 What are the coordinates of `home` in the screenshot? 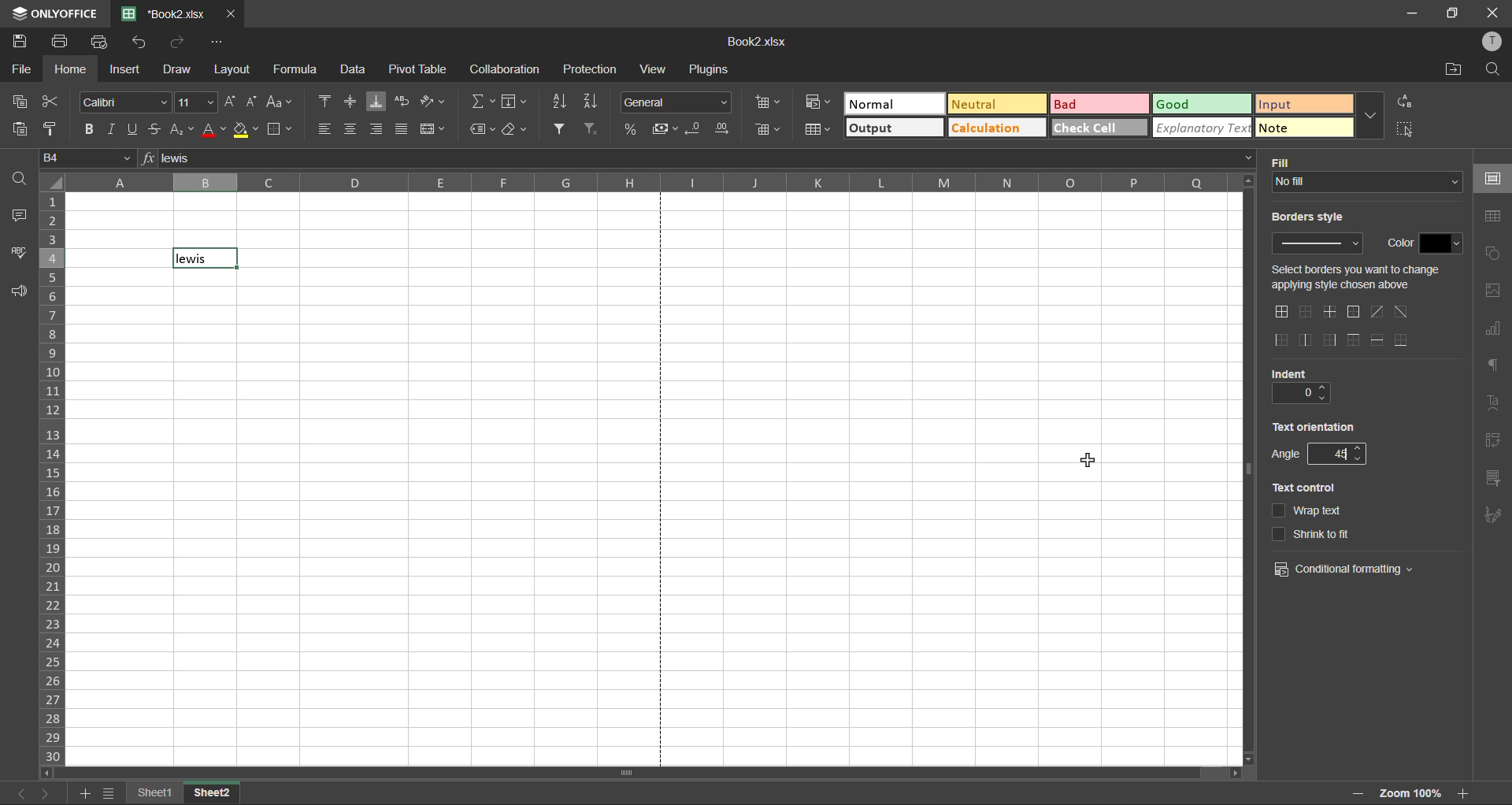 It's located at (70, 70).